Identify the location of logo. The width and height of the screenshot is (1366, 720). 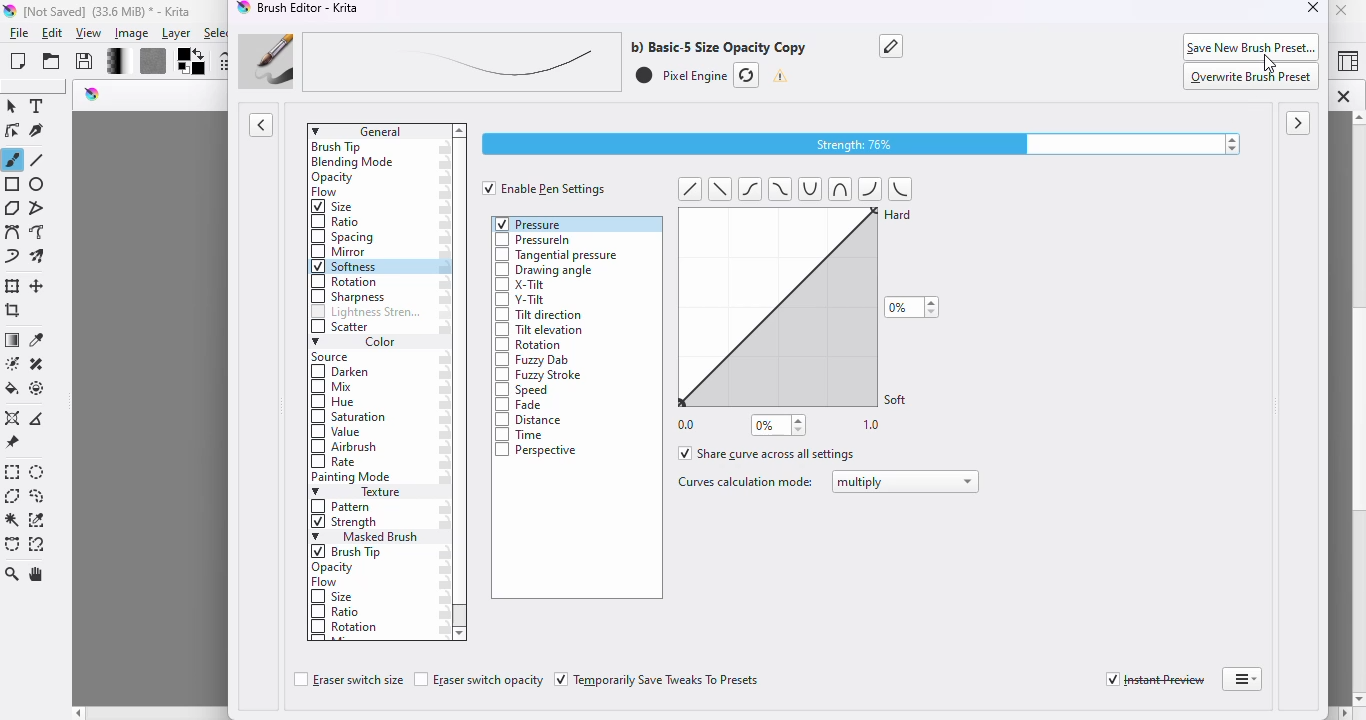
(244, 9).